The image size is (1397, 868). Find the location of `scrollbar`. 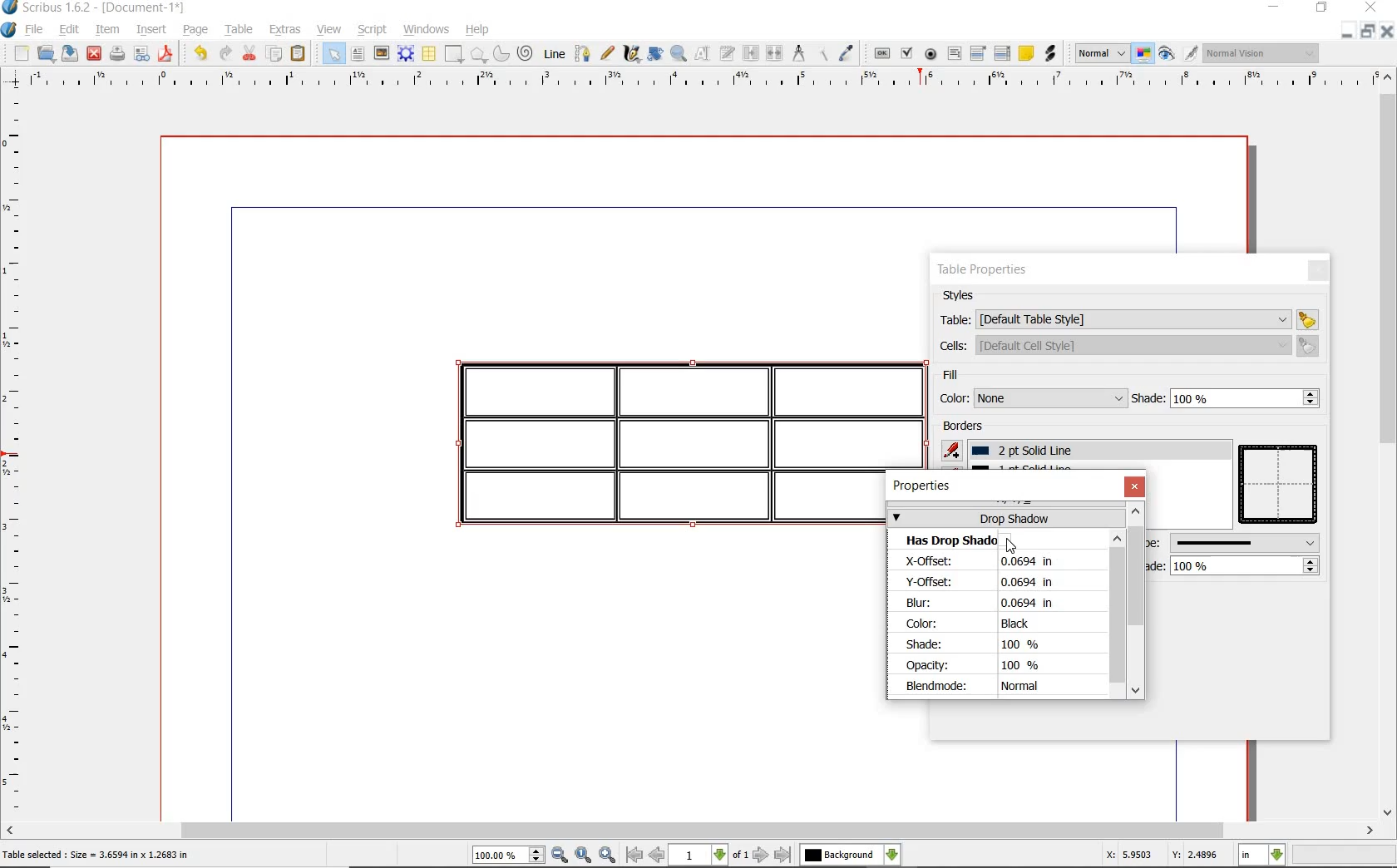

scrollbar is located at coordinates (1389, 442).